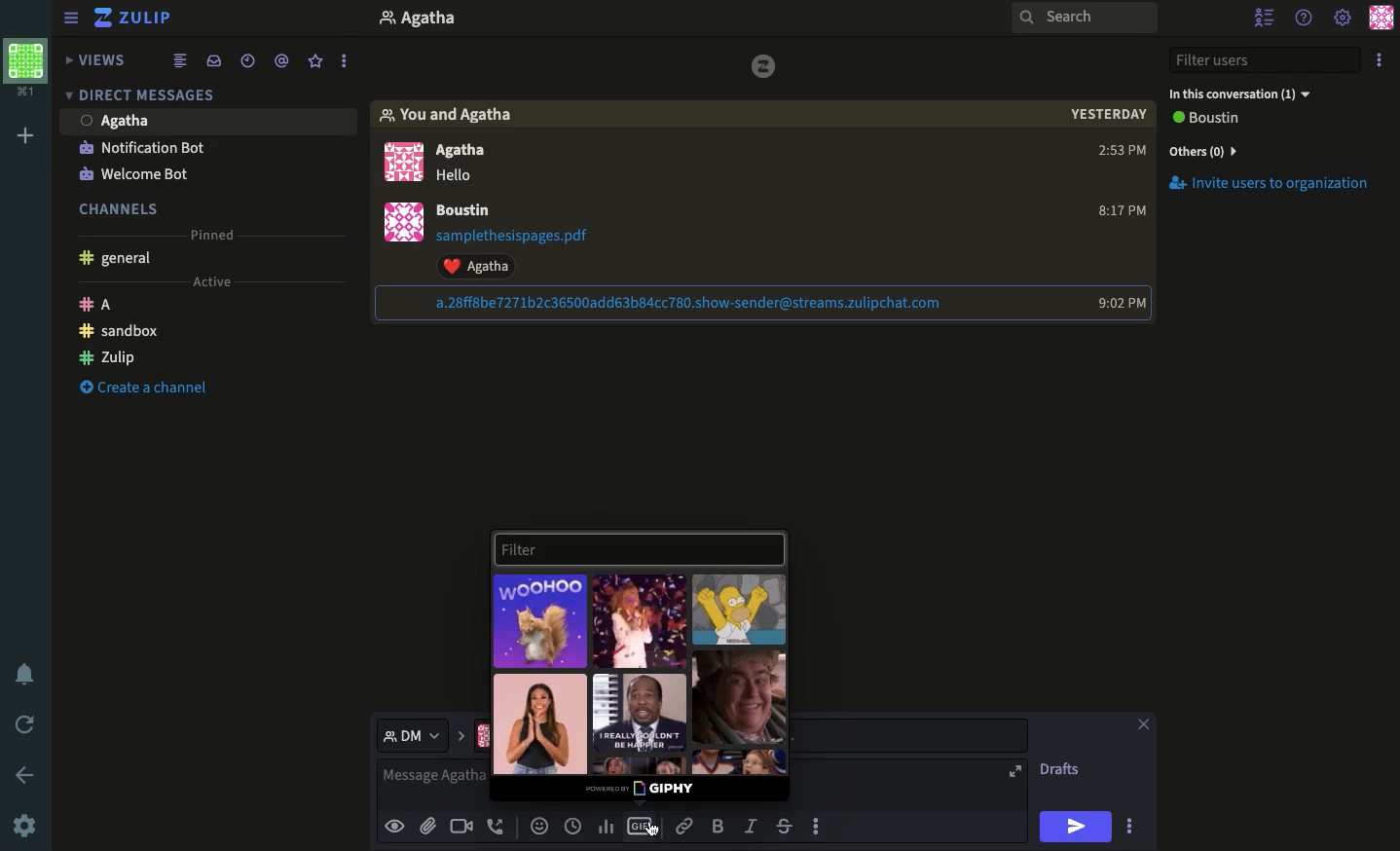 This screenshot has width=1400, height=851. Describe the element at coordinates (497, 825) in the screenshot. I see `Voice call` at that location.